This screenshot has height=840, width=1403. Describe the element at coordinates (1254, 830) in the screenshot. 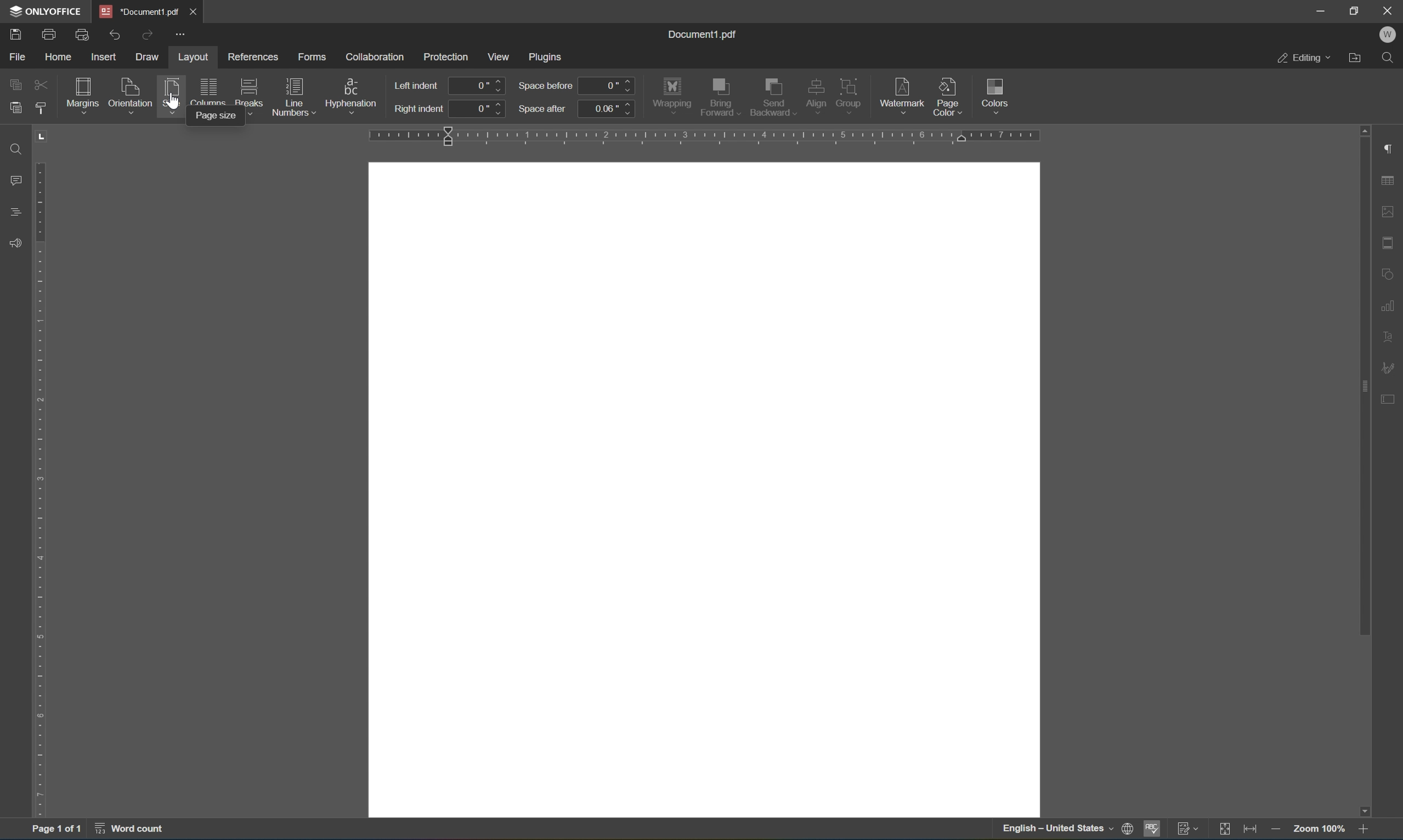

I see `fit to width` at that location.